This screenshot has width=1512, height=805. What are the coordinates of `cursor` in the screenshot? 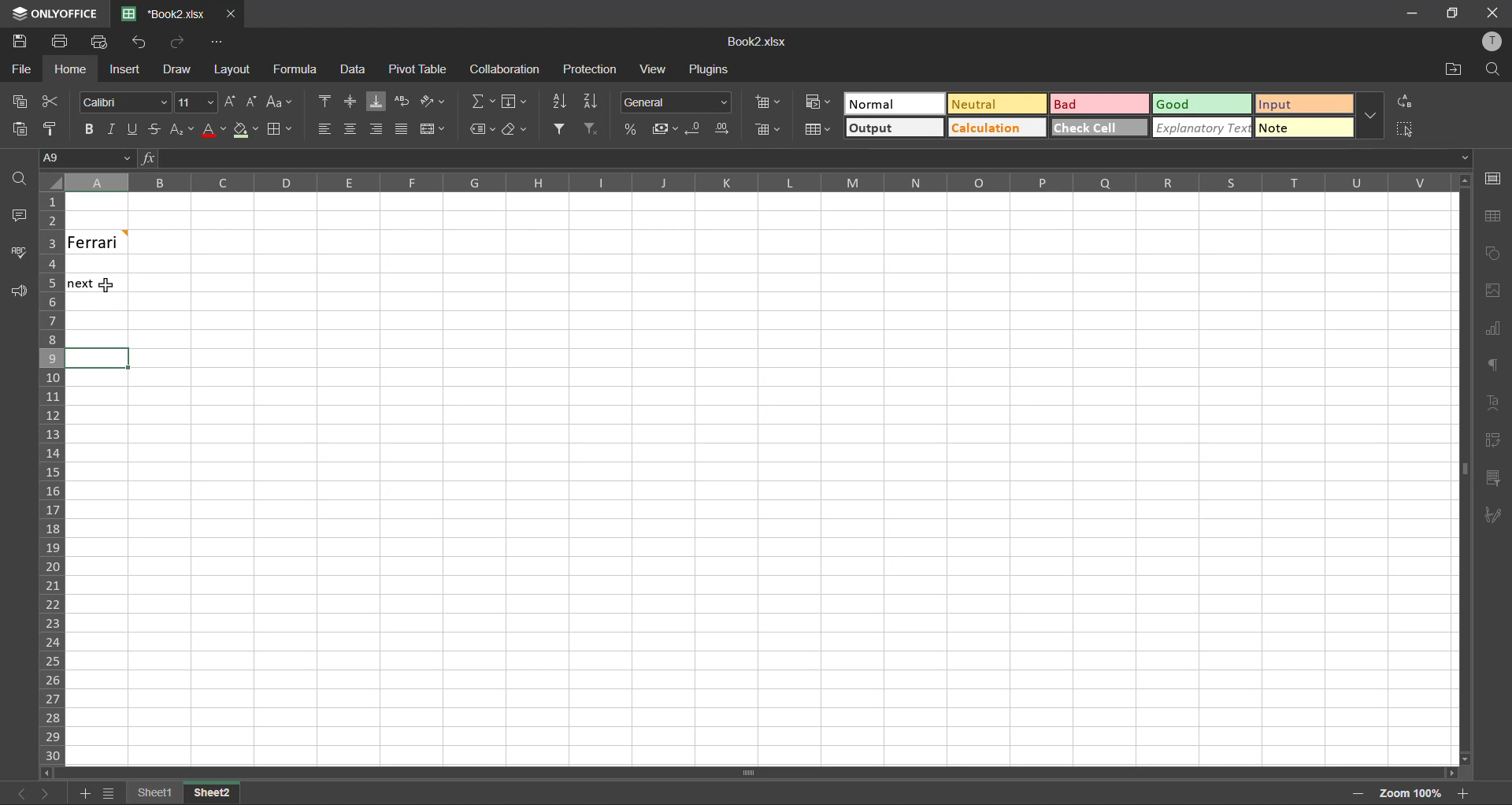 It's located at (108, 284).